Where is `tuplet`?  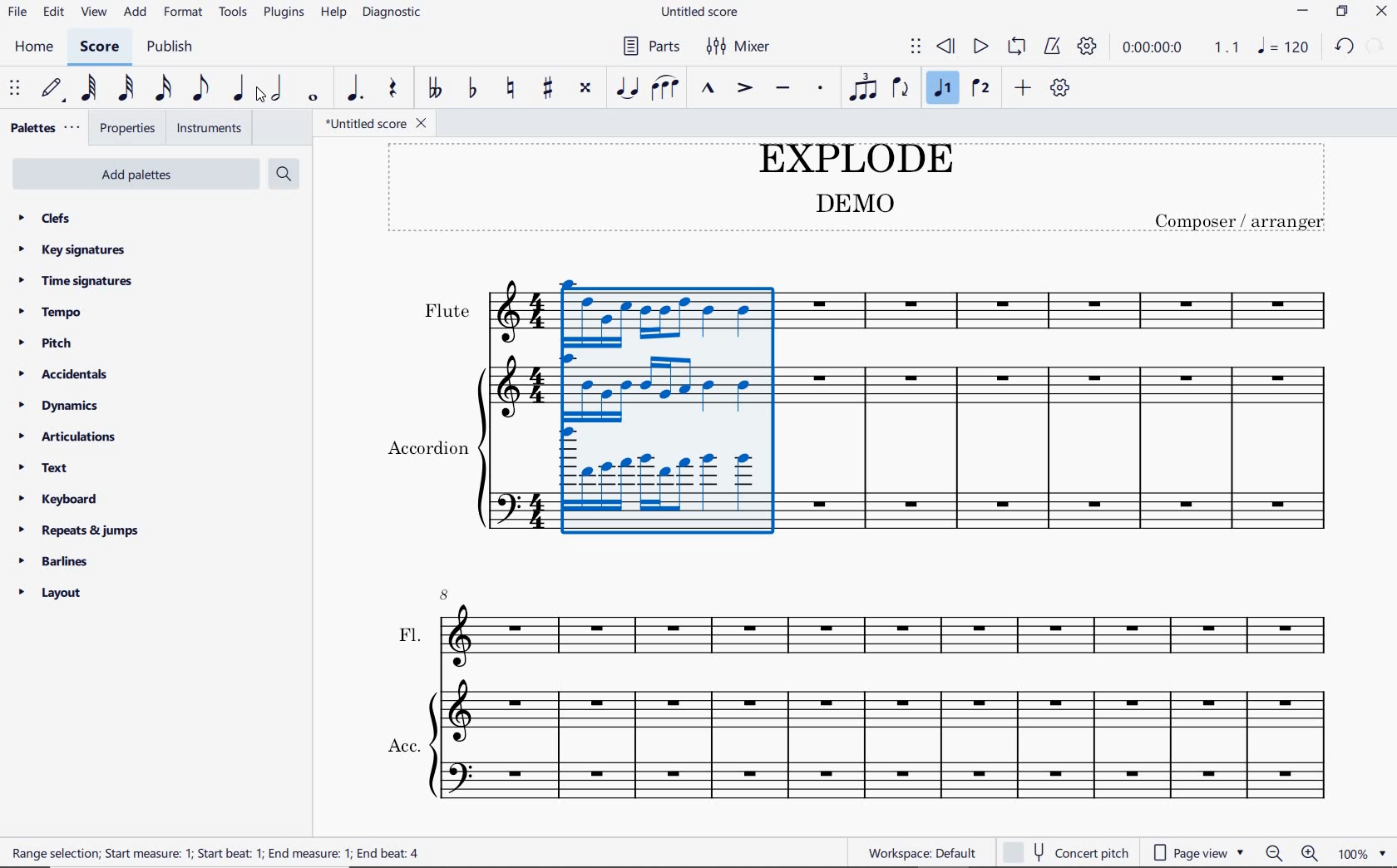
tuplet is located at coordinates (863, 86).